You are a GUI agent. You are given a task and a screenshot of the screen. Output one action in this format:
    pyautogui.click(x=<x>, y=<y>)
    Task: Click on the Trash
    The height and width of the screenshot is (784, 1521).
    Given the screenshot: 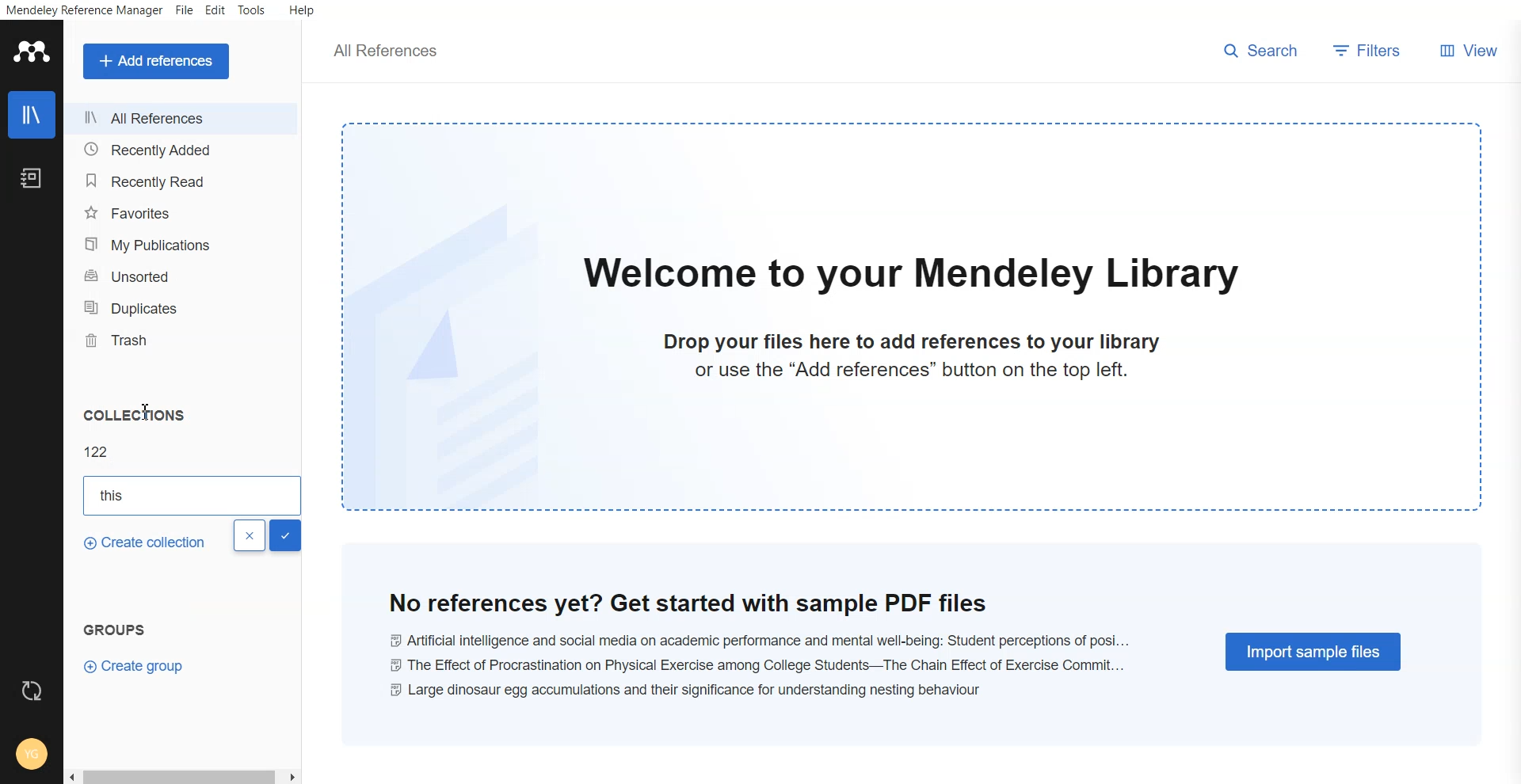 What is the action you would take?
    pyautogui.click(x=185, y=339)
    